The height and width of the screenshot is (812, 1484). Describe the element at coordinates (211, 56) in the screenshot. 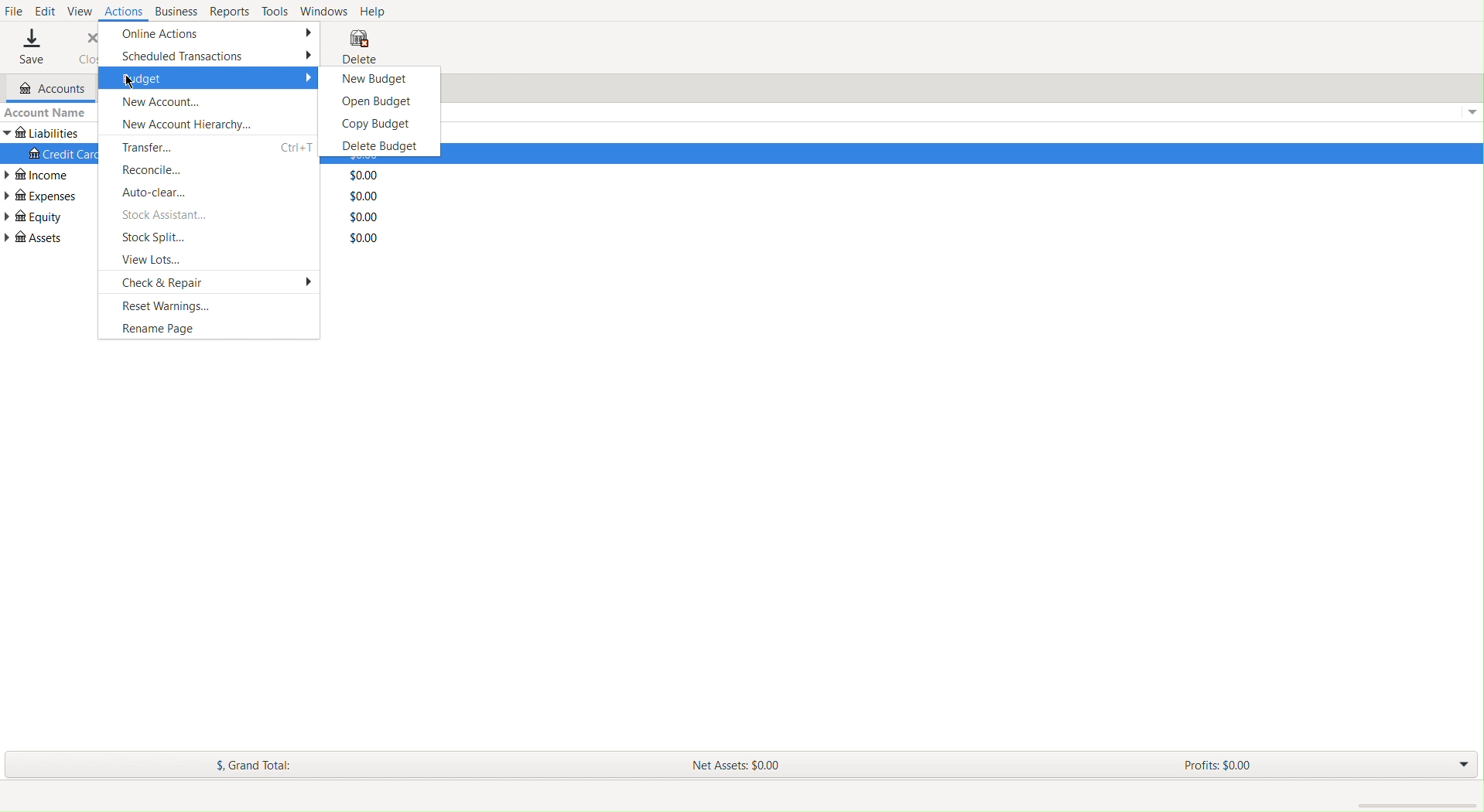

I see `Scheduled Transactions` at that location.